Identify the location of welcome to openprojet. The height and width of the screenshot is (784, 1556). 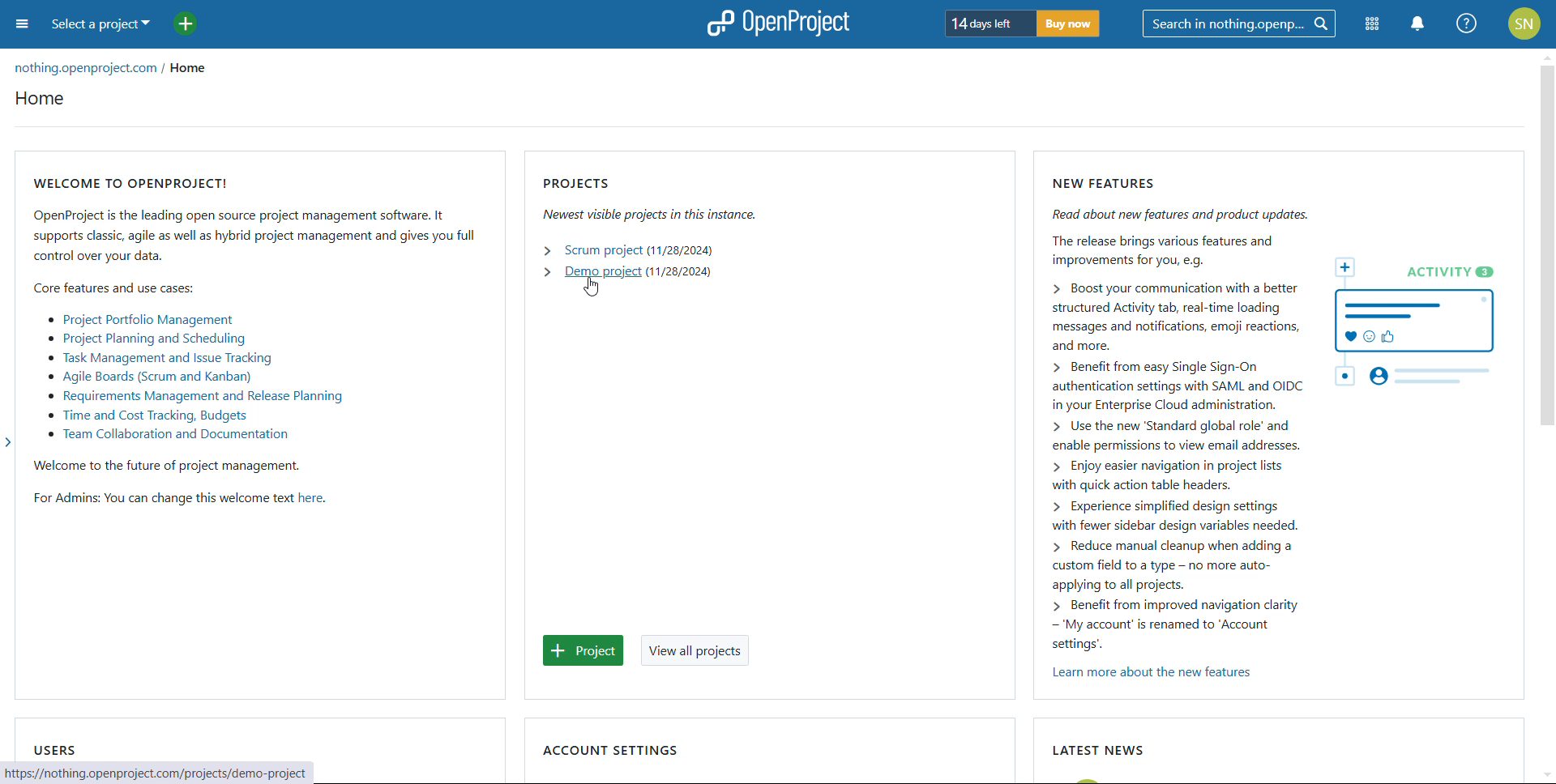
(254, 219).